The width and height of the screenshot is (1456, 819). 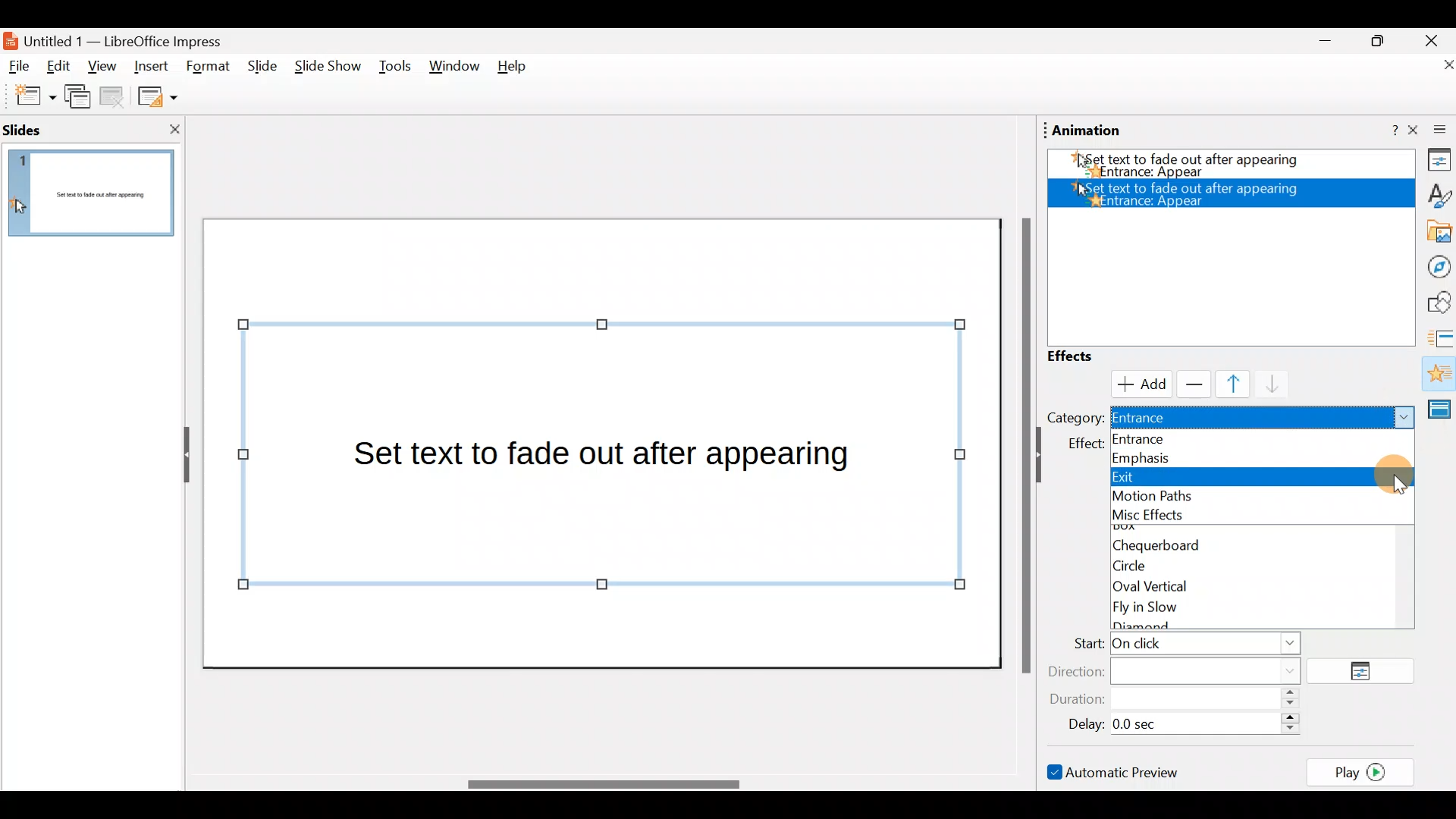 I want to click on Animation, so click(x=1087, y=130).